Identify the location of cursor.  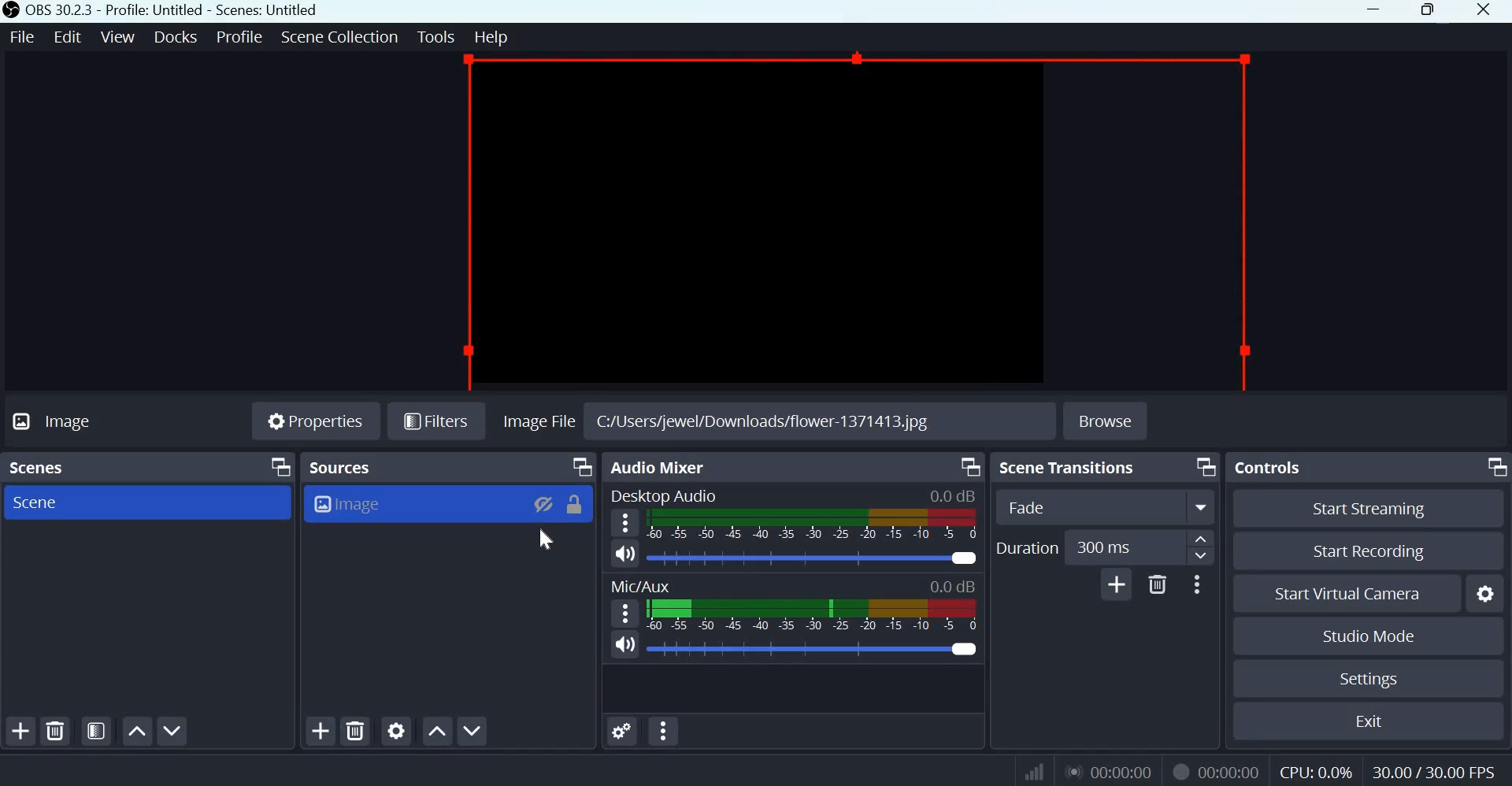
(544, 540).